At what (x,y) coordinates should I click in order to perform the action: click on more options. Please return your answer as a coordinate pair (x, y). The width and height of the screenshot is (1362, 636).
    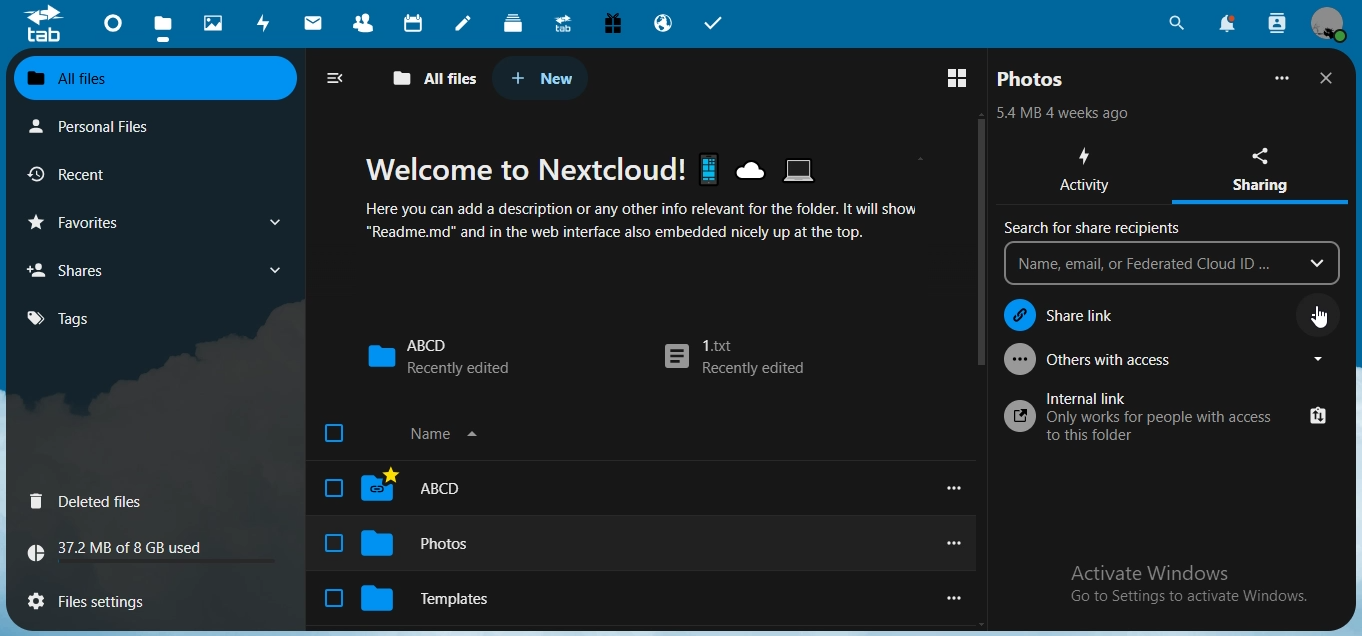
    Looking at the image, I should click on (1283, 78).